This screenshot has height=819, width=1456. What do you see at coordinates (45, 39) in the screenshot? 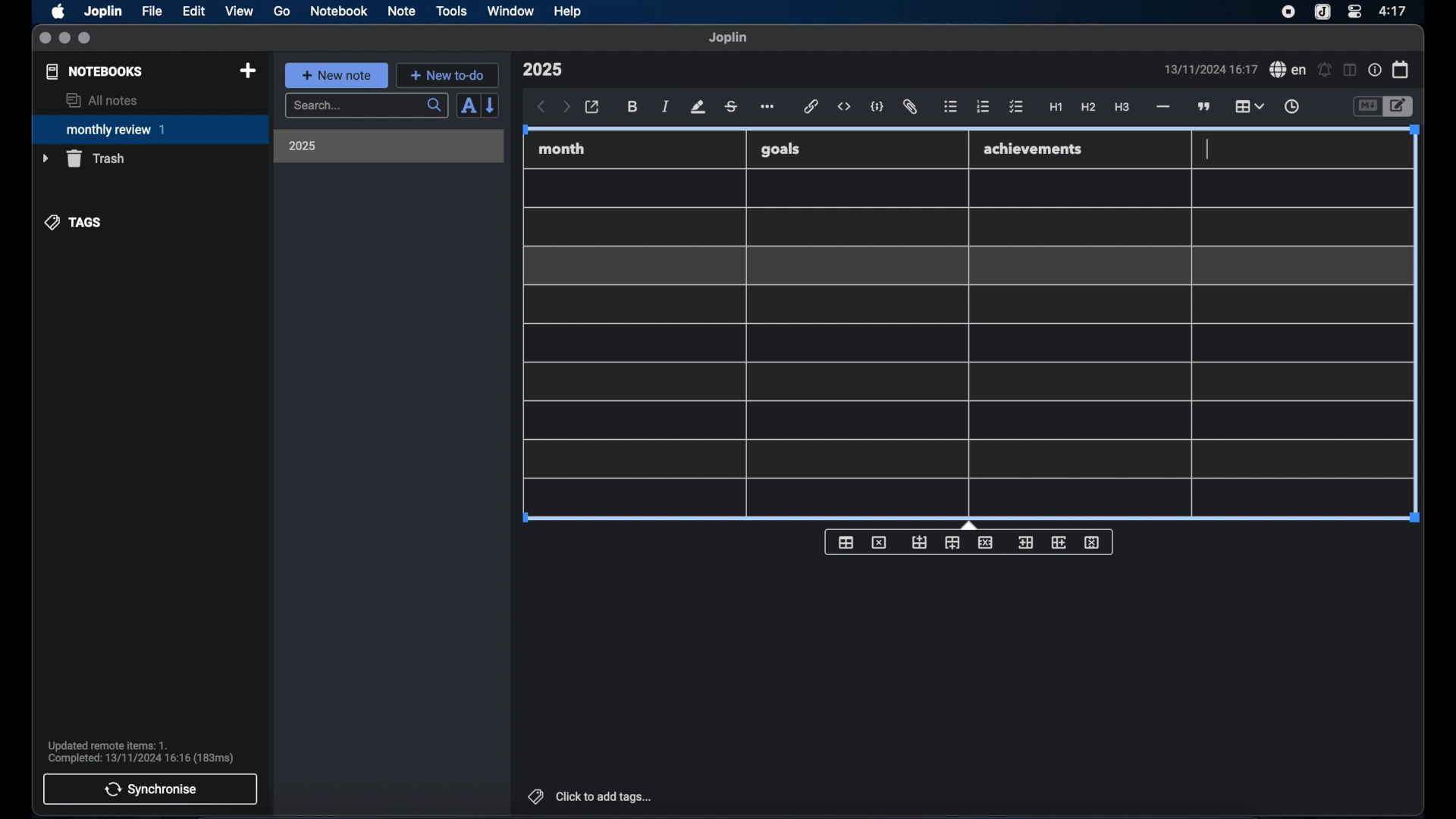
I see `close` at bounding box center [45, 39].